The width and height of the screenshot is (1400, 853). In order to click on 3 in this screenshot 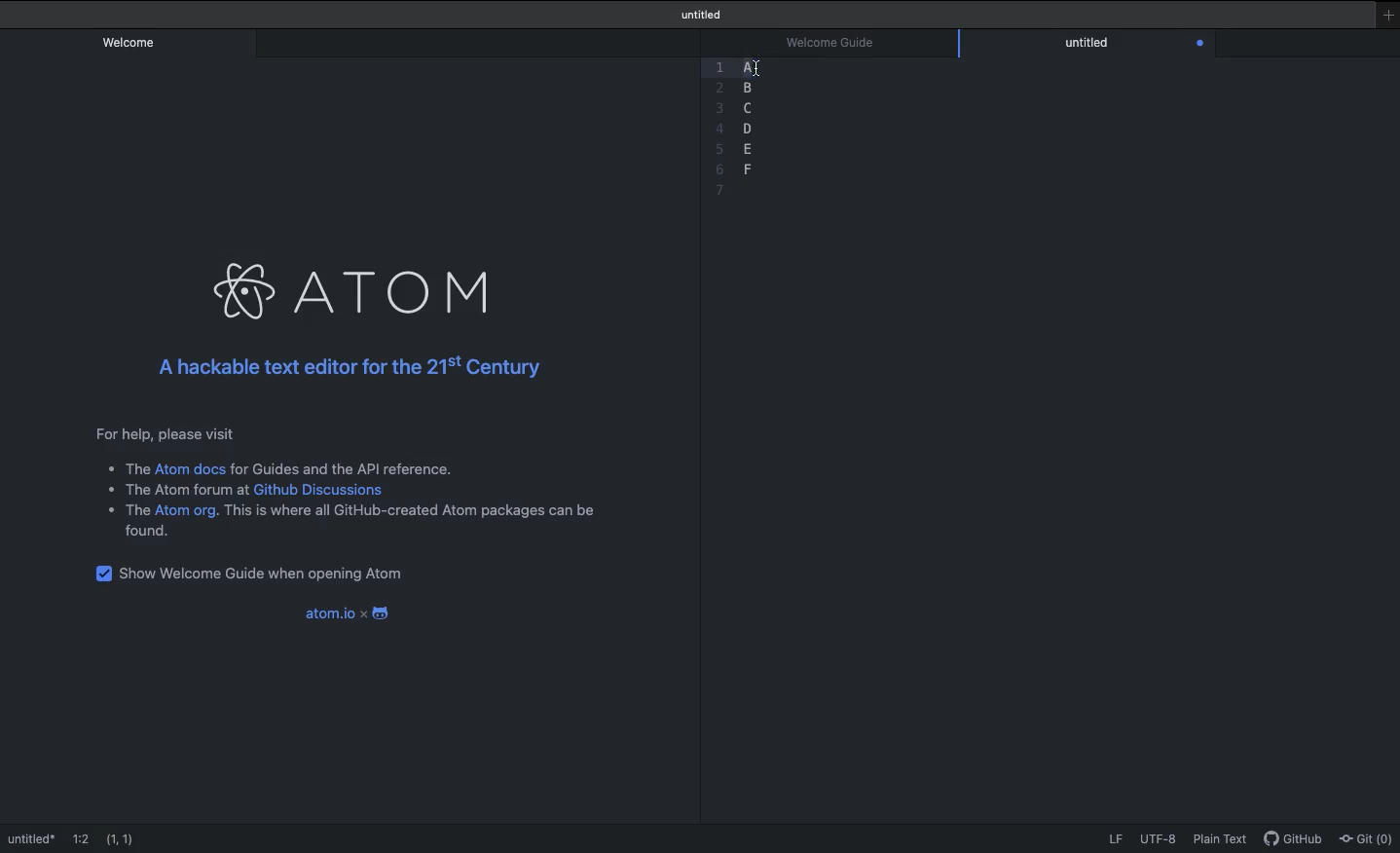, I will do `click(718, 108)`.